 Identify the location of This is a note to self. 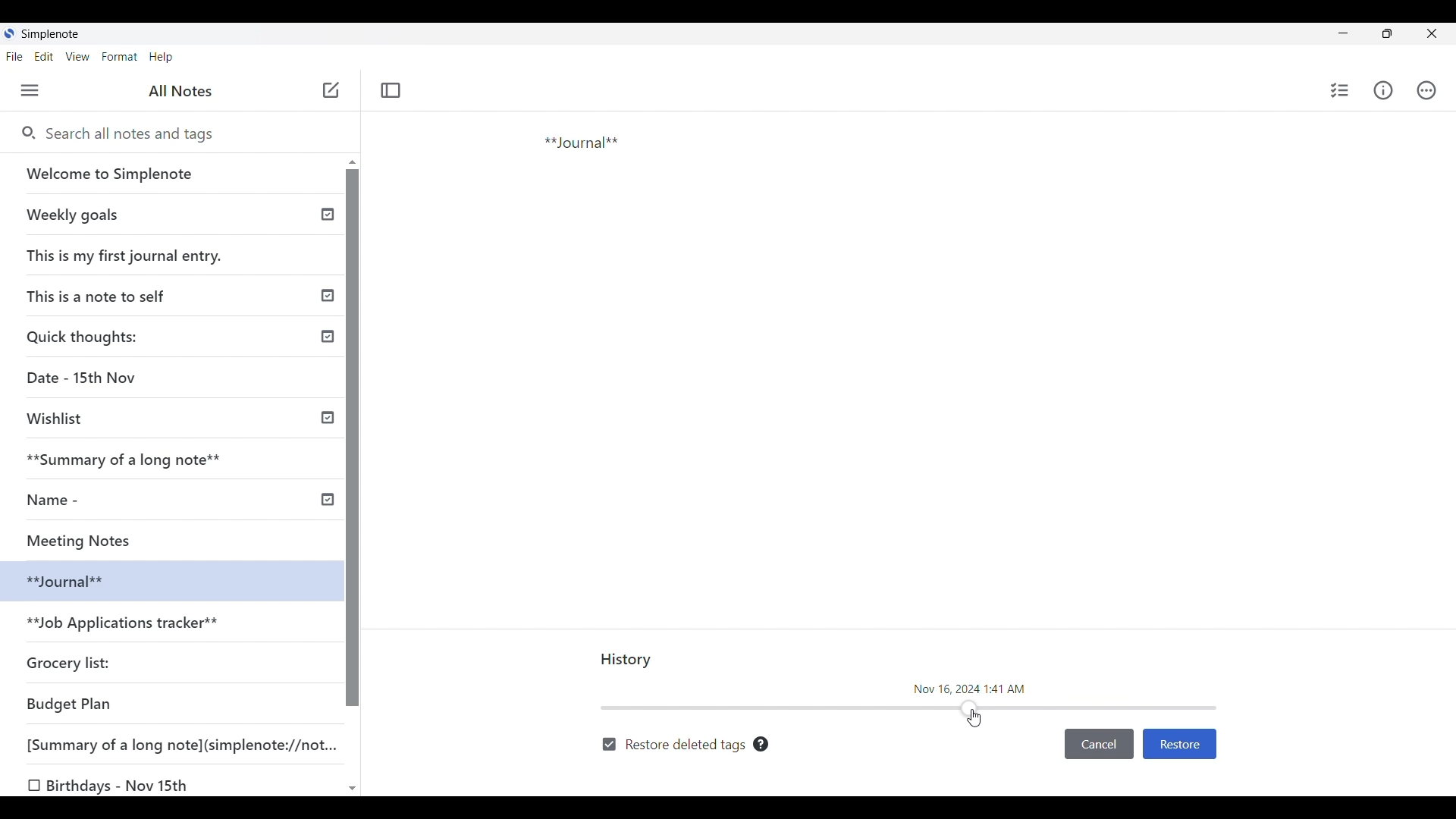
(102, 295).